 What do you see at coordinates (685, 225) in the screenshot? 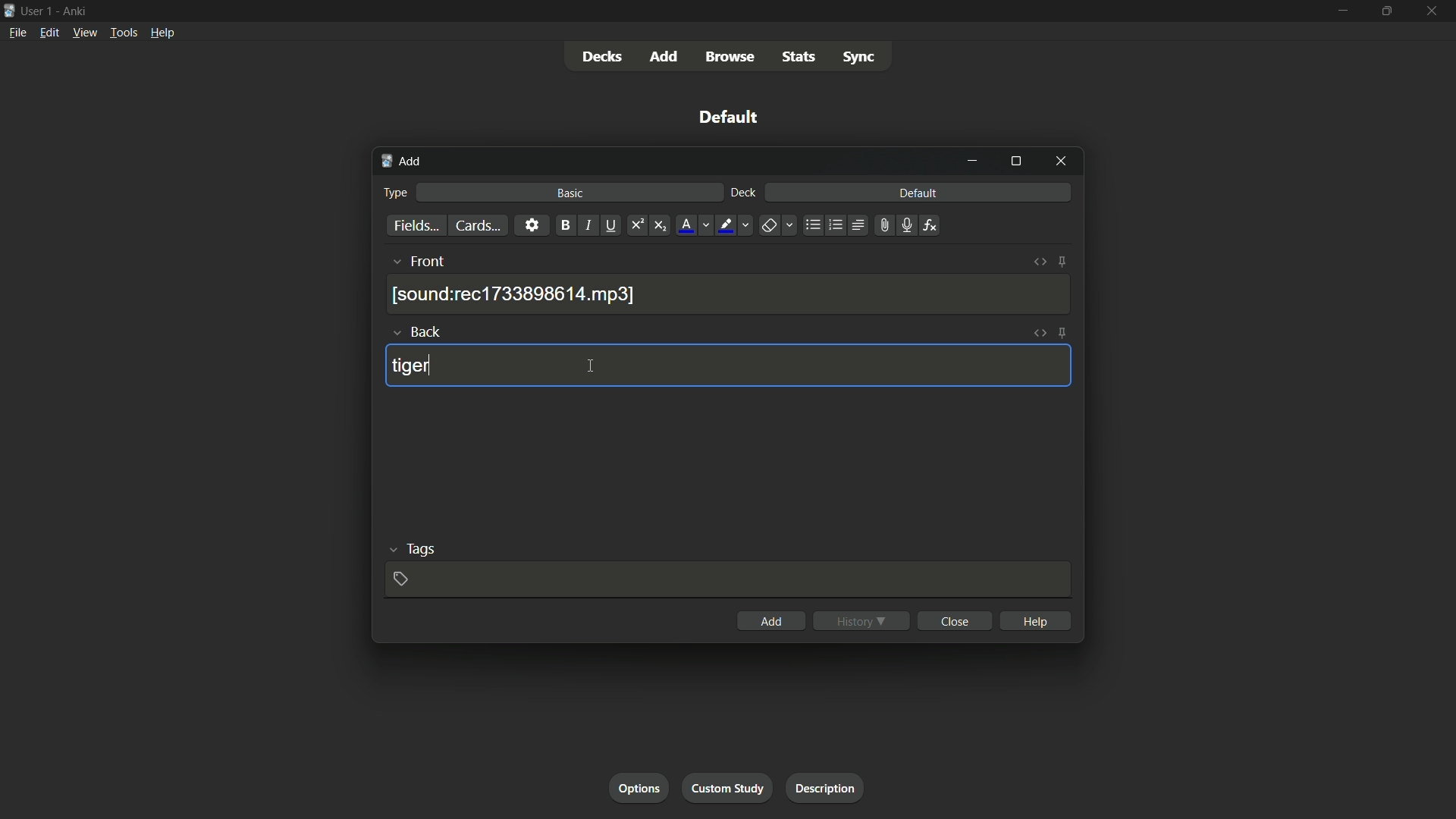
I see `font color` at bounding box center [685, 225].